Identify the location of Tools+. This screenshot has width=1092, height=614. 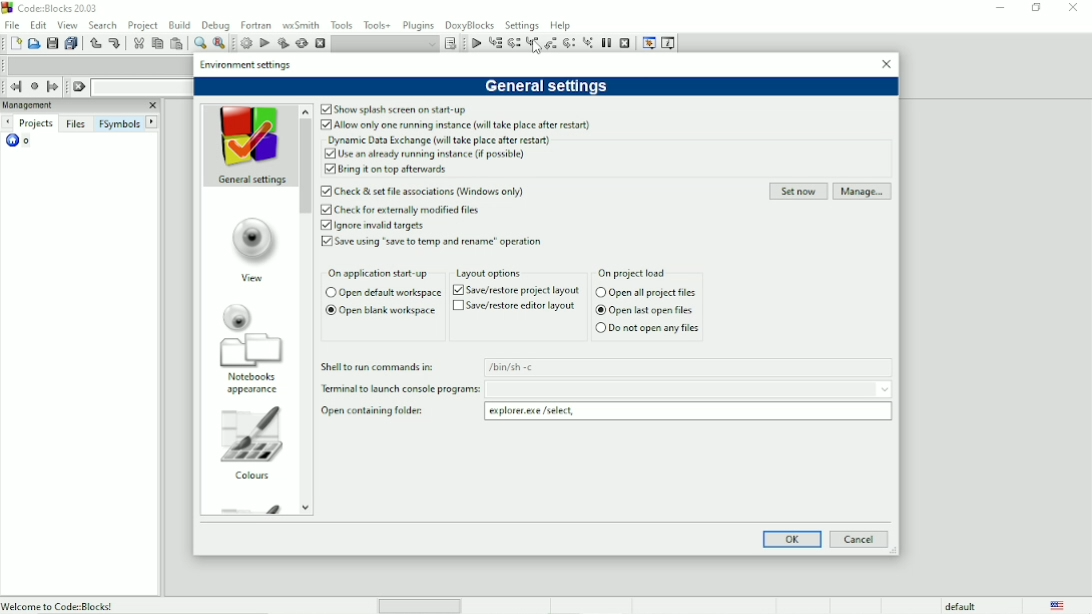
(379, 25).